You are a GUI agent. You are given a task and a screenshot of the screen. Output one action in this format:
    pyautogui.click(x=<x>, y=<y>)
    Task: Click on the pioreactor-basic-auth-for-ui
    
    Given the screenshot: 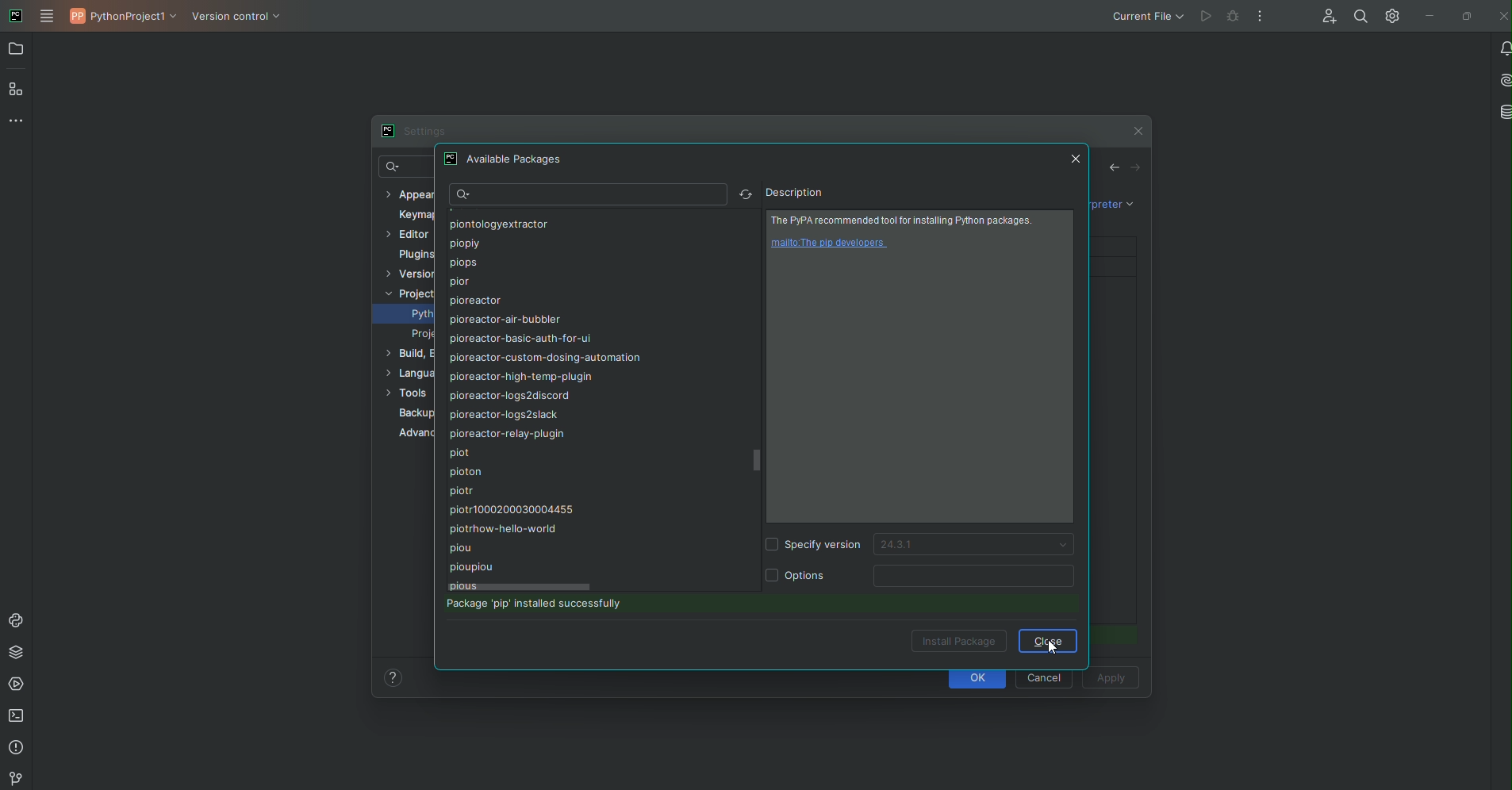 What is the action you would take?
    pyautogui.click(x=520, y=339)
    